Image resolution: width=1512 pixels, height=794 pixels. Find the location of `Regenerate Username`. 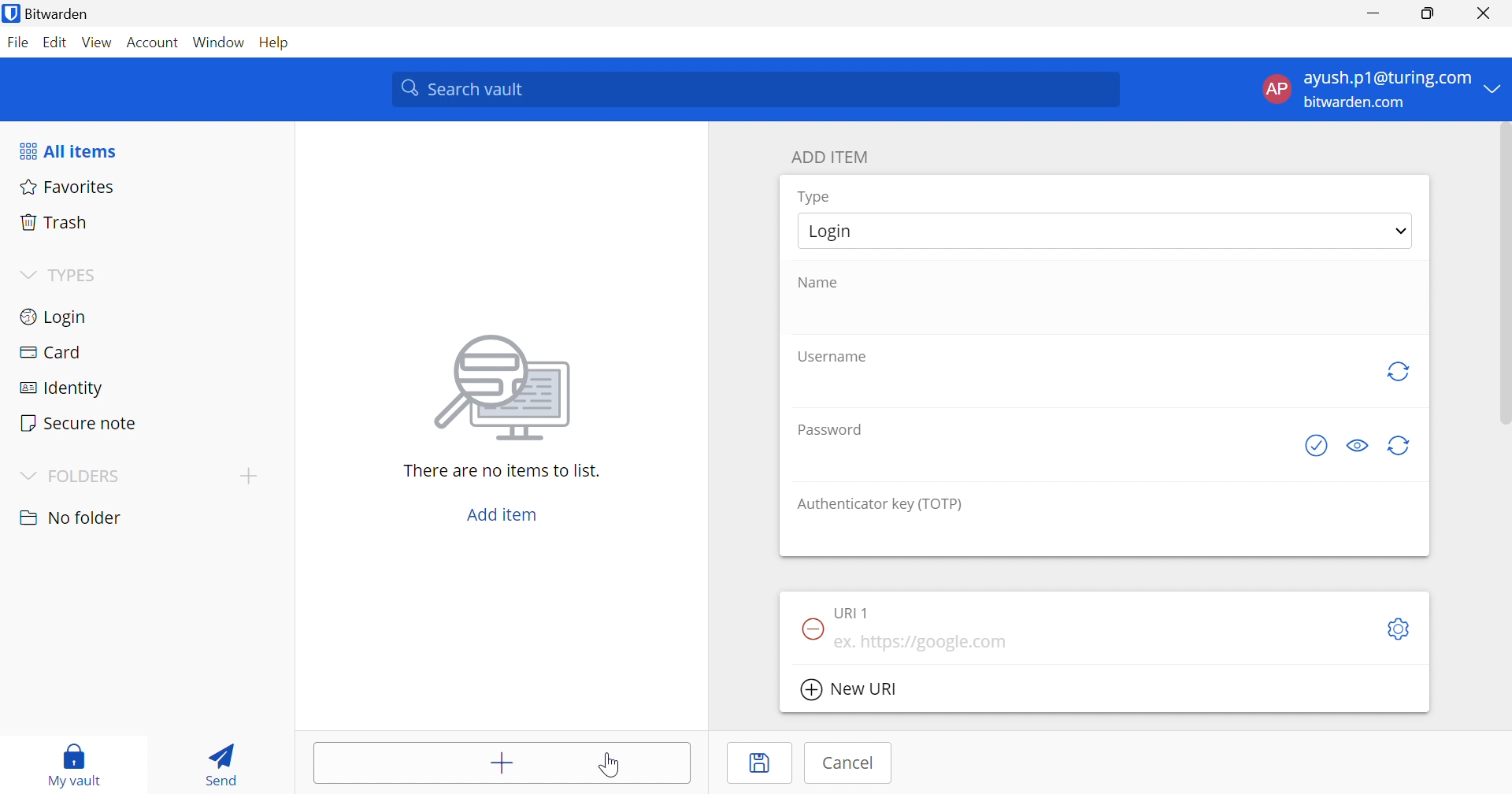

Regenerate Username is located at coordinates (1397, 370).